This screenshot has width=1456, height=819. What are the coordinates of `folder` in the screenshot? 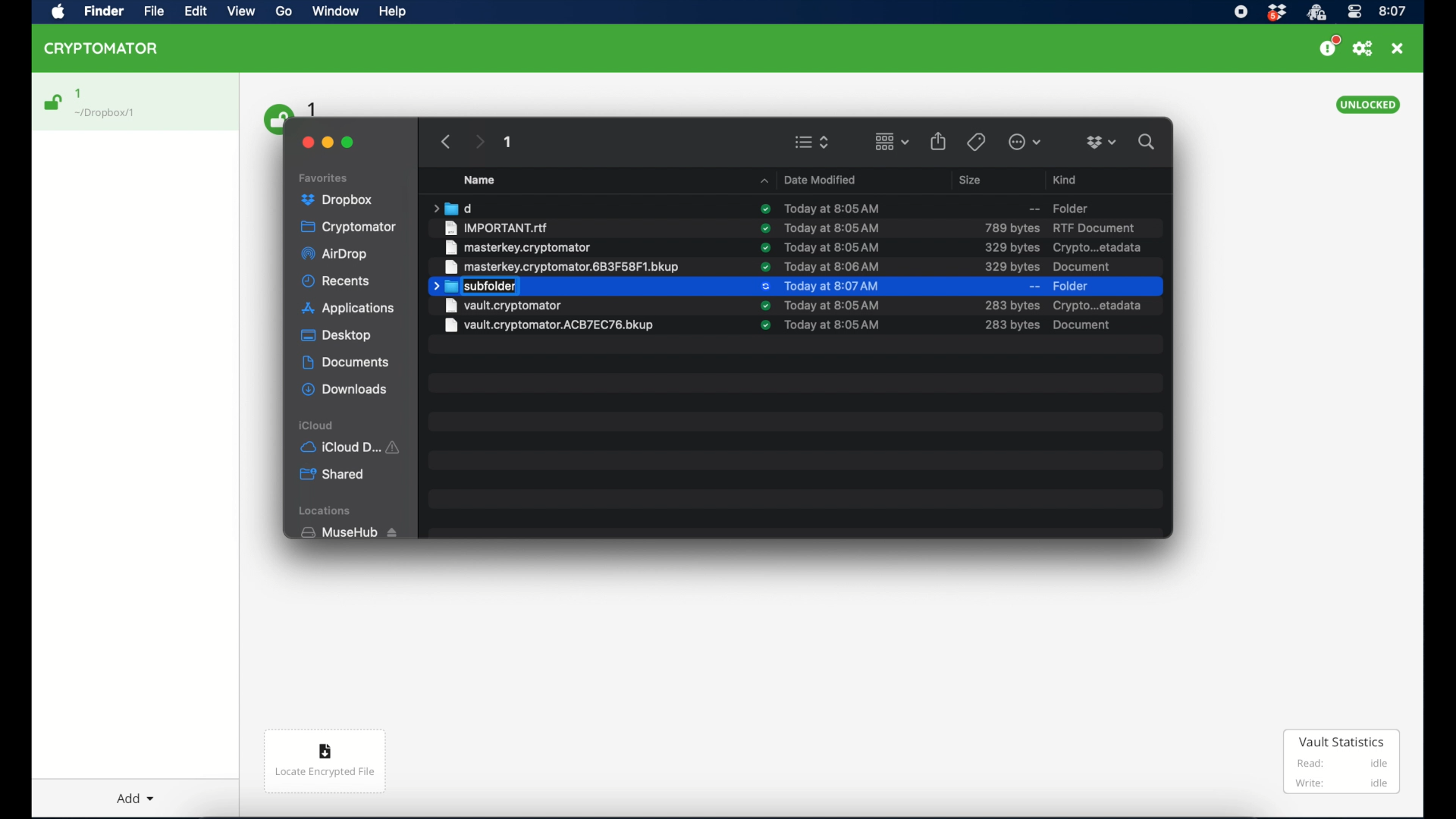 It's located at (451, 208).